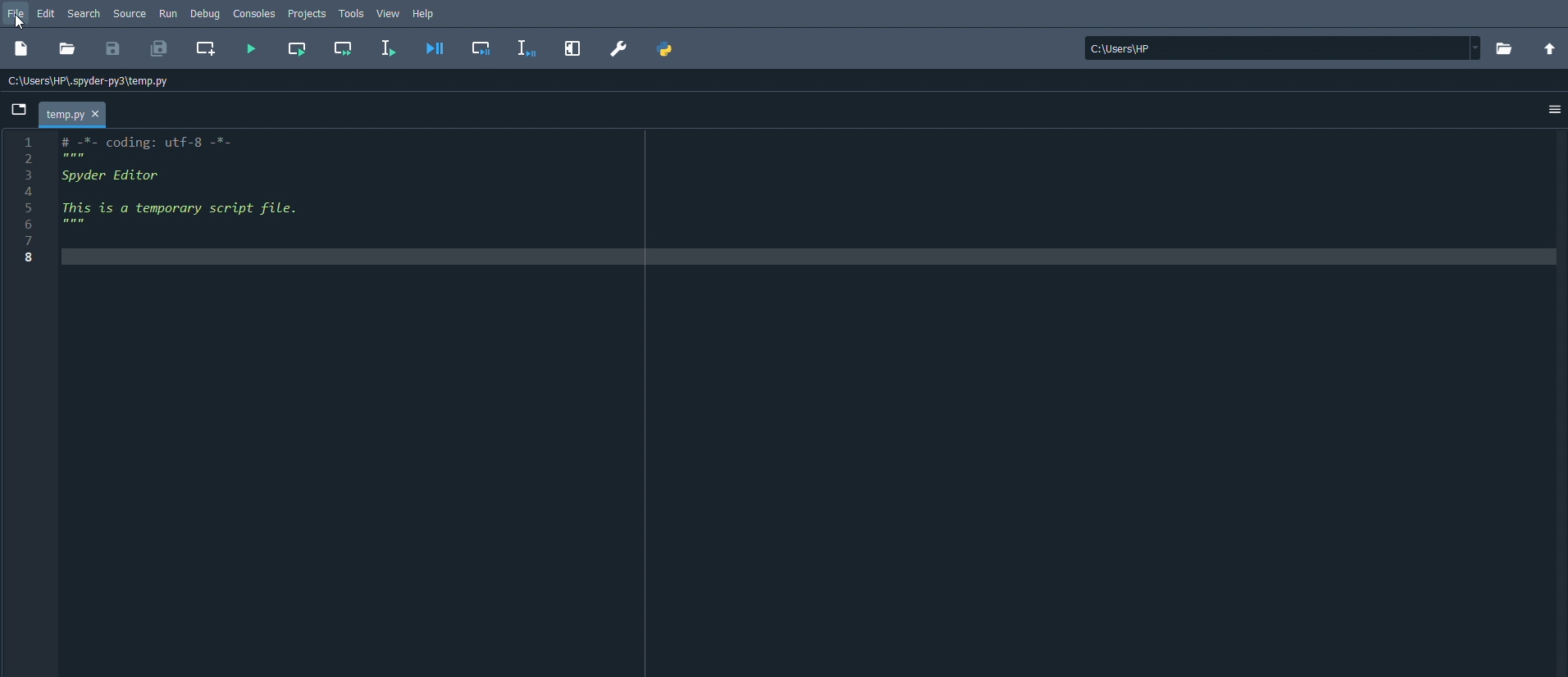 The height and width of the screenshot is (677, 1568). What do you see at coordinates (17, 12) in the screenshot?
I see `File` at bounding box center [17, 12].